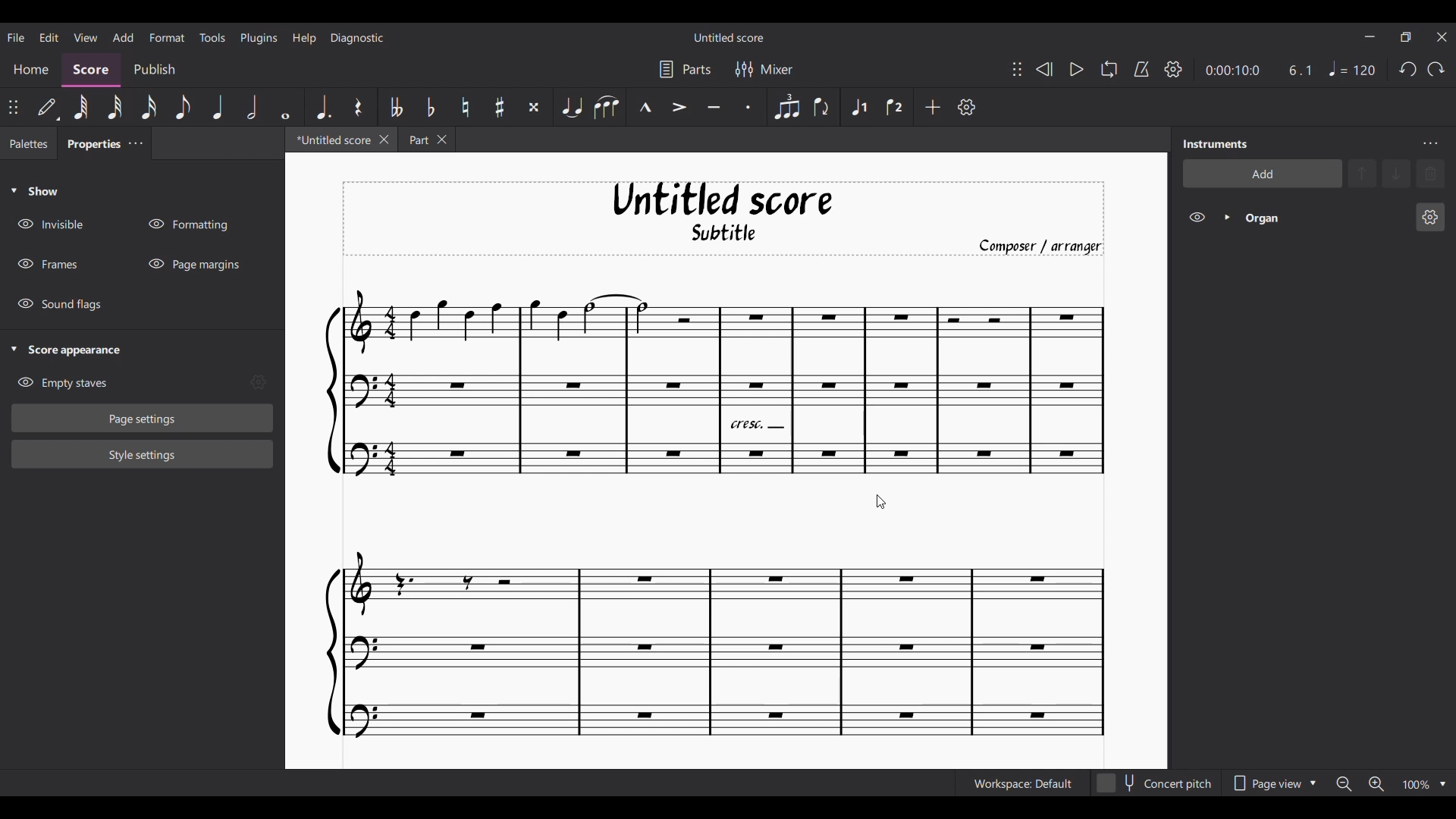 Image resolution: width=1456 pixels, height=819 pixels. Describe the element at coordinates (303, 38) in the screenshot. I see `Help menu` at that location.